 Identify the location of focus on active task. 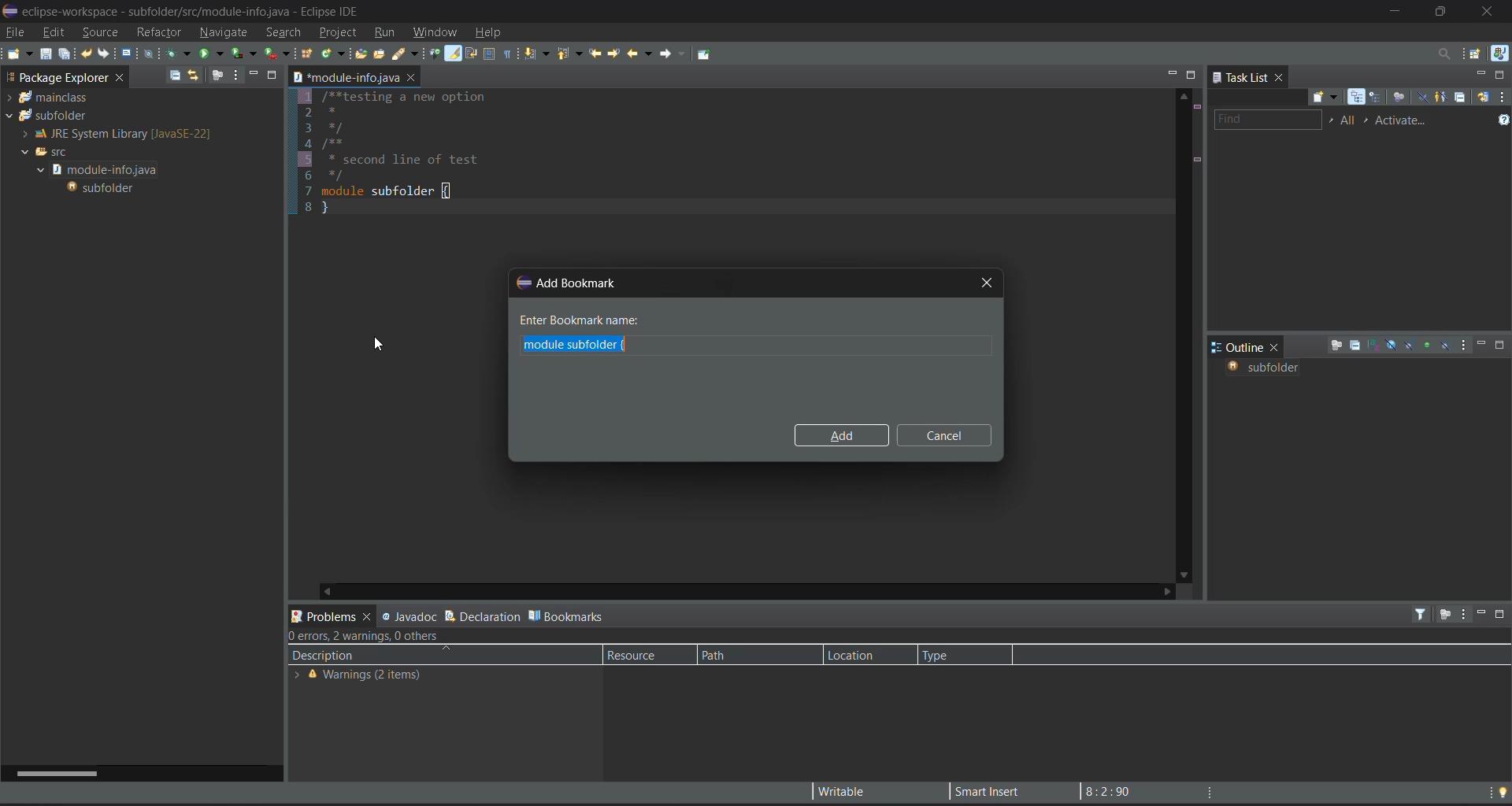
(219, 74).